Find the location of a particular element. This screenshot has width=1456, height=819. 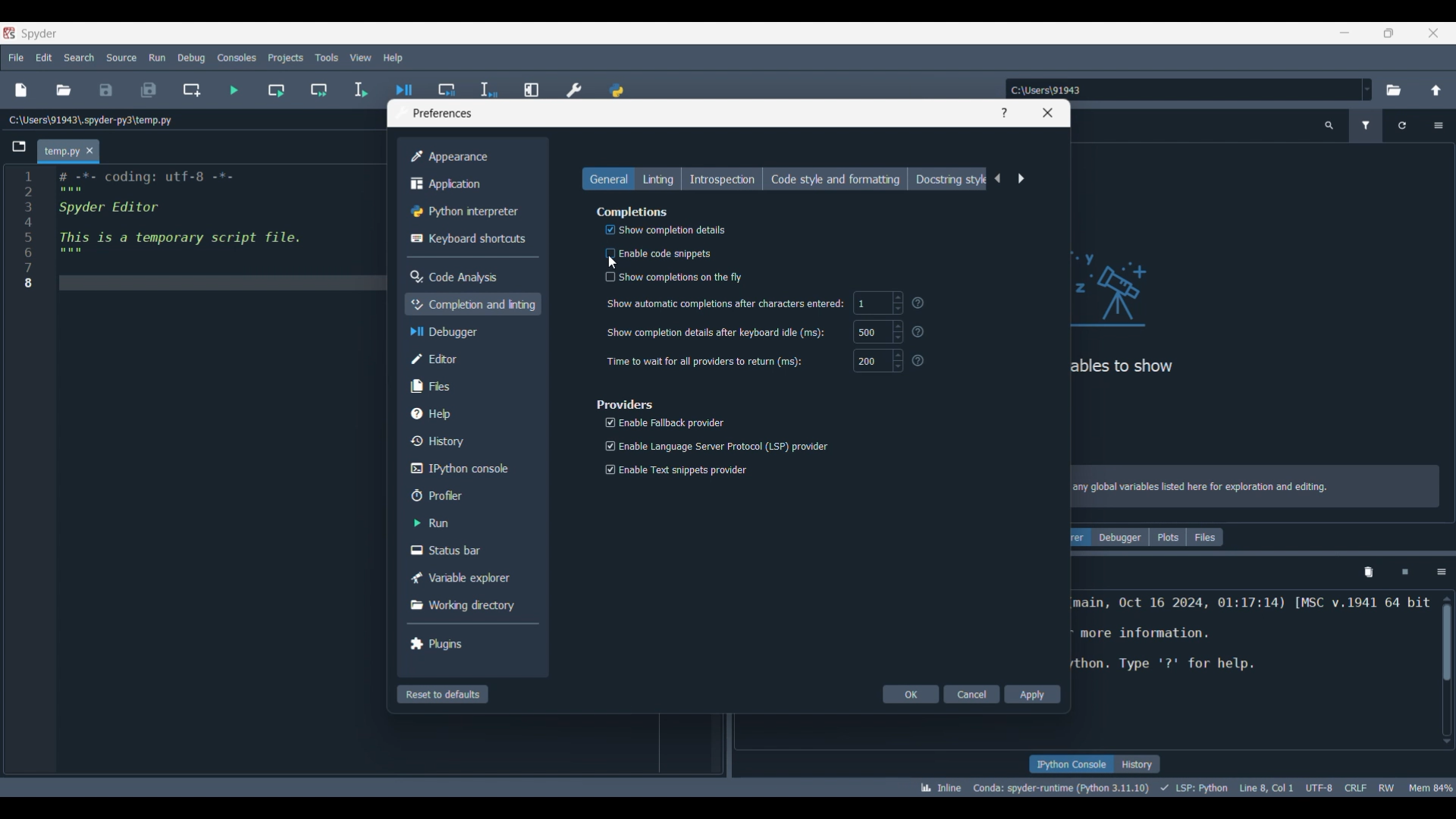

Reload variables is located at coordinates (1401, 126).